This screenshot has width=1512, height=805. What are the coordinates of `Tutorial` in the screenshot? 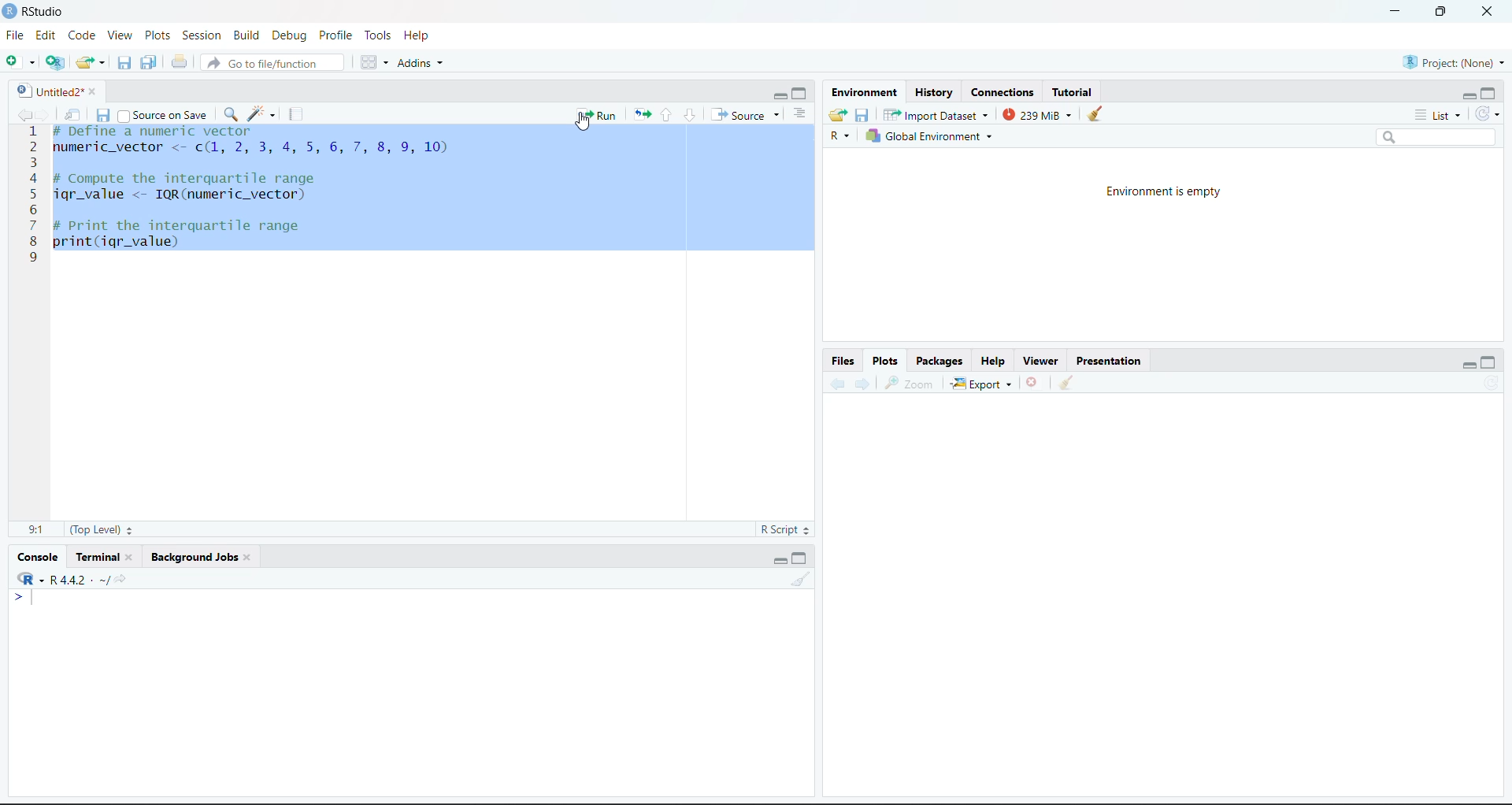 It's located at (1074, 92).